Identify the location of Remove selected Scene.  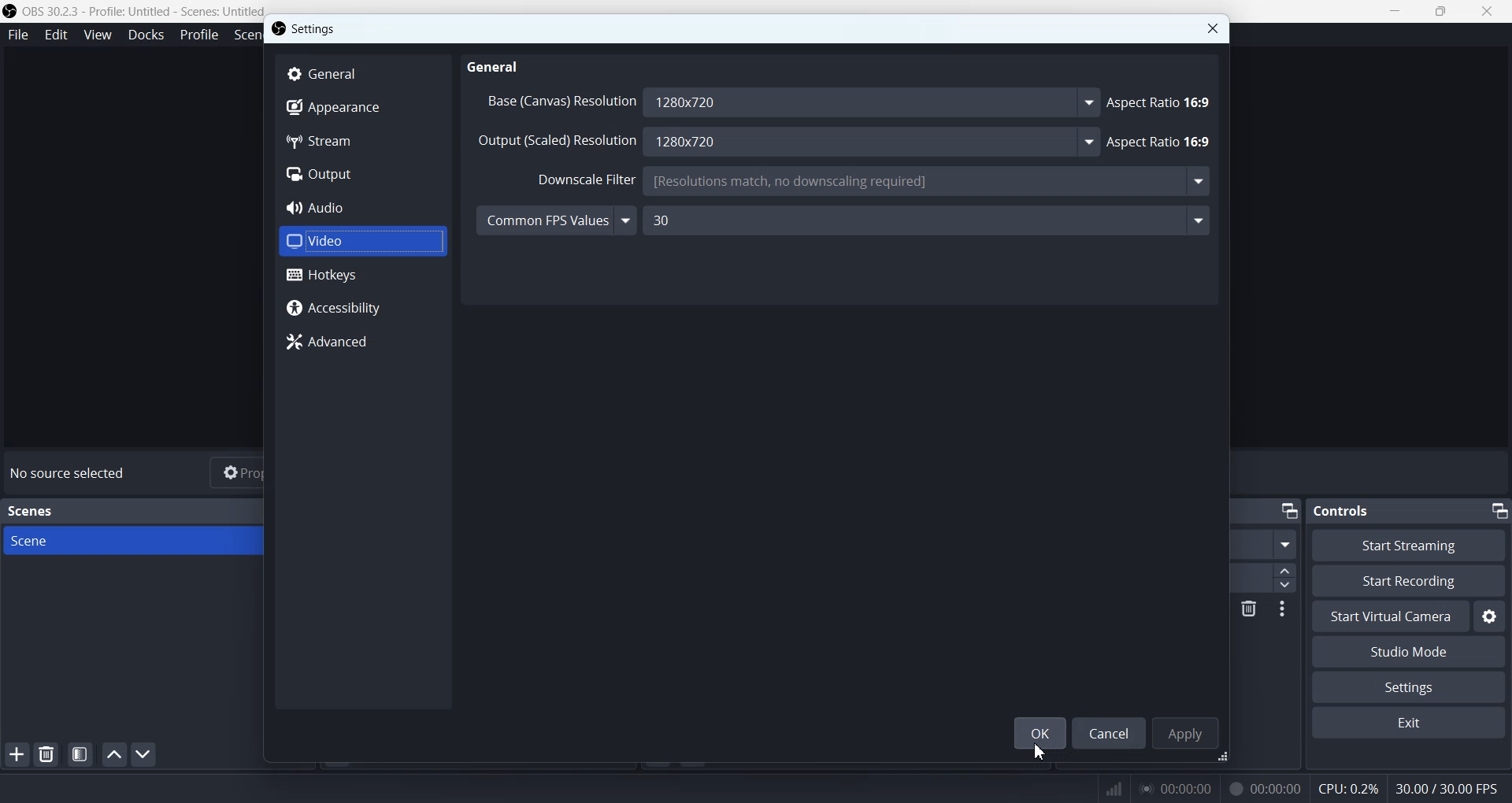
(47, 754).